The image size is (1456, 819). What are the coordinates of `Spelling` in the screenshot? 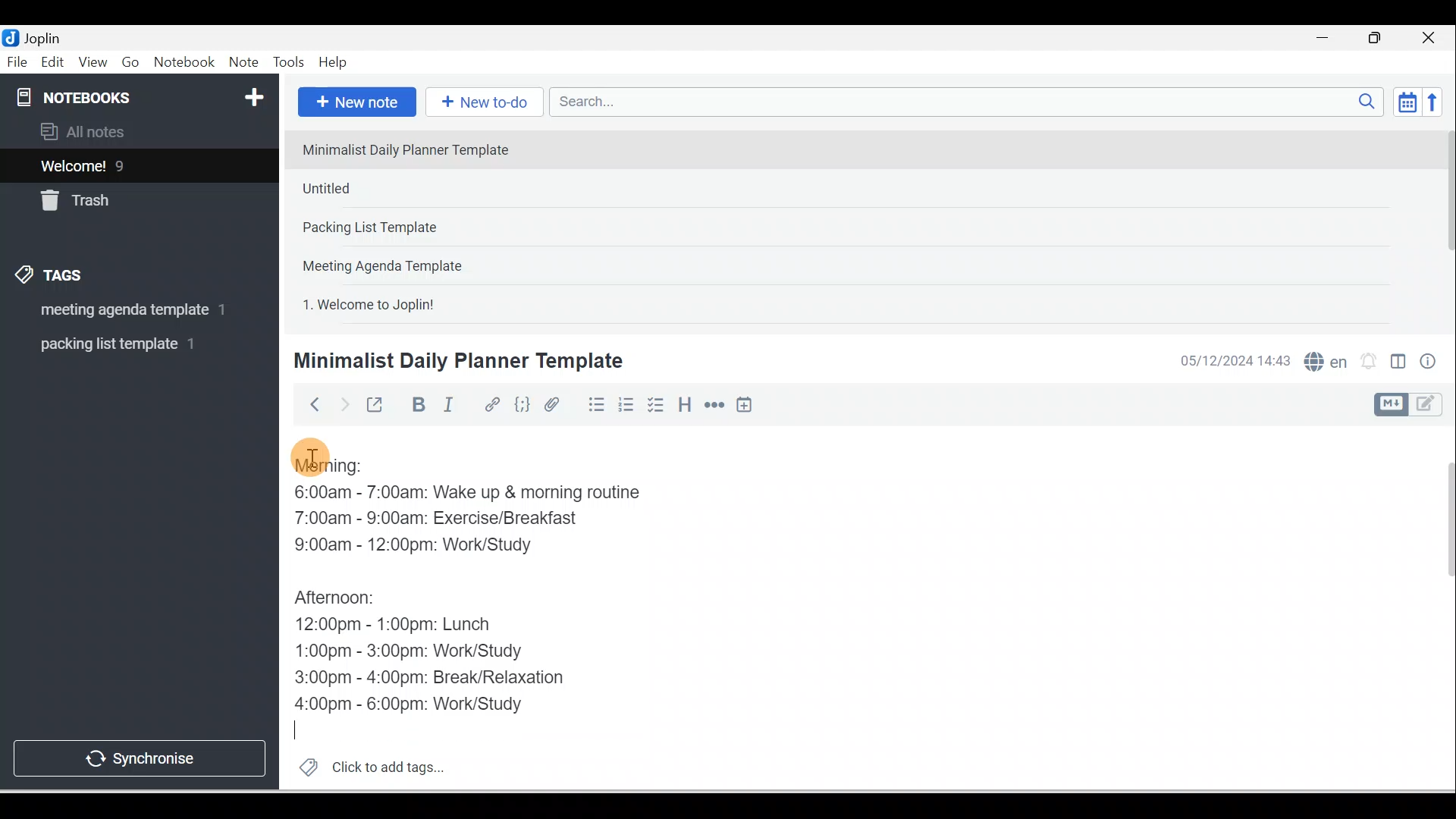 It's located at (1323, 359).